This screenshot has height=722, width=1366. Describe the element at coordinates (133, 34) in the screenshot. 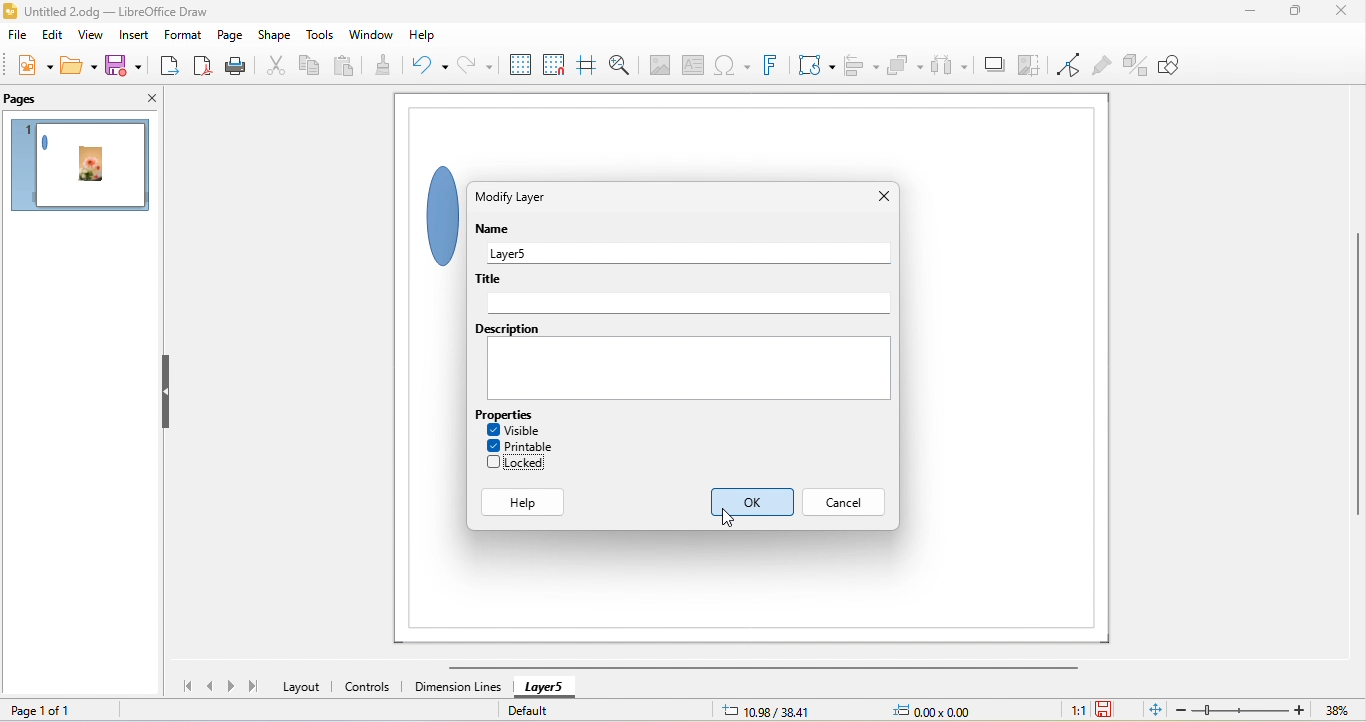

I see `insert` at that location.